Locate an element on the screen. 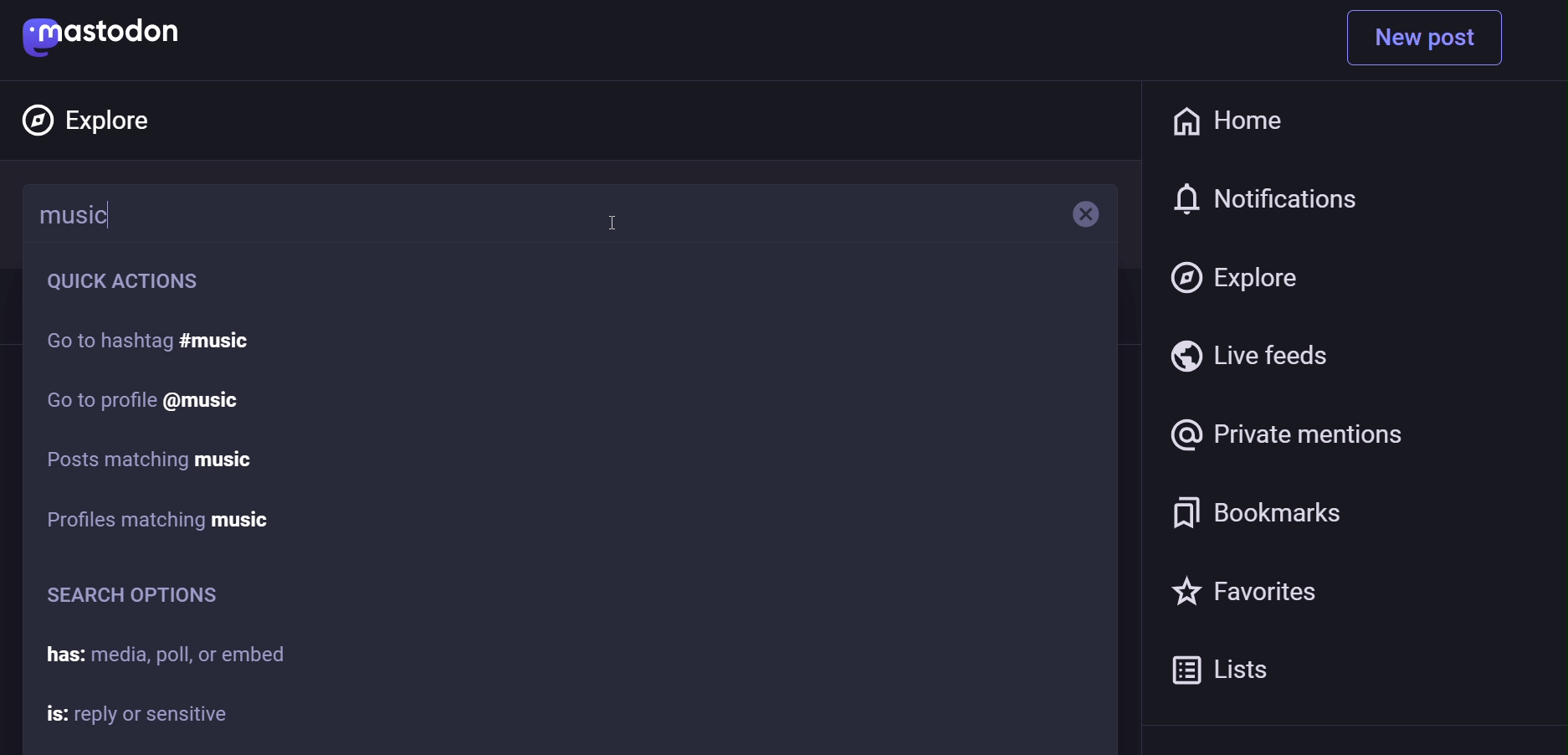 The width and height of the screenshot is (1568, 755). go to hashtag is located at coordinates (153, 342).